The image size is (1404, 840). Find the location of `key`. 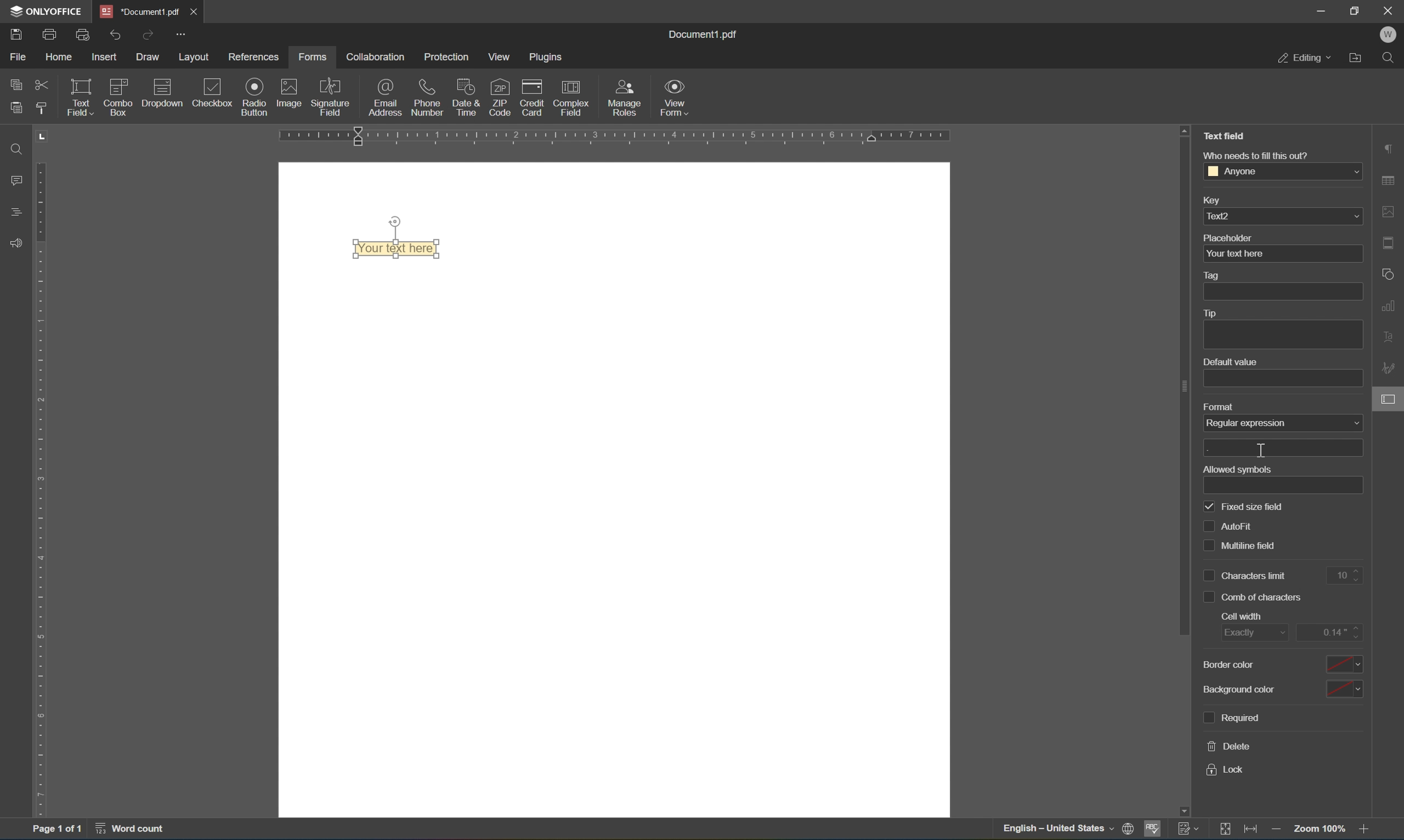

key is located at coordinates (1212, 199).